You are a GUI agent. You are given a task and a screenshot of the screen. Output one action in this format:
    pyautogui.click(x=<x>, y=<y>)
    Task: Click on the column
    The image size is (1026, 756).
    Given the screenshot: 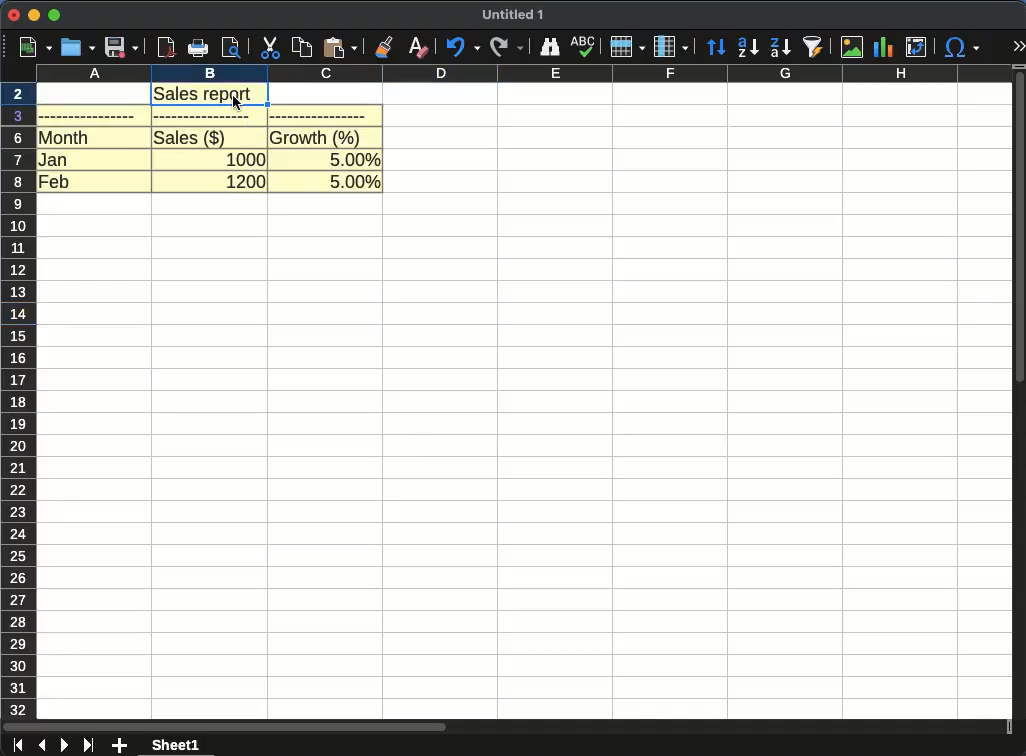 What is the action you would take?
    pyautogui.click(x=671, y=47)
    